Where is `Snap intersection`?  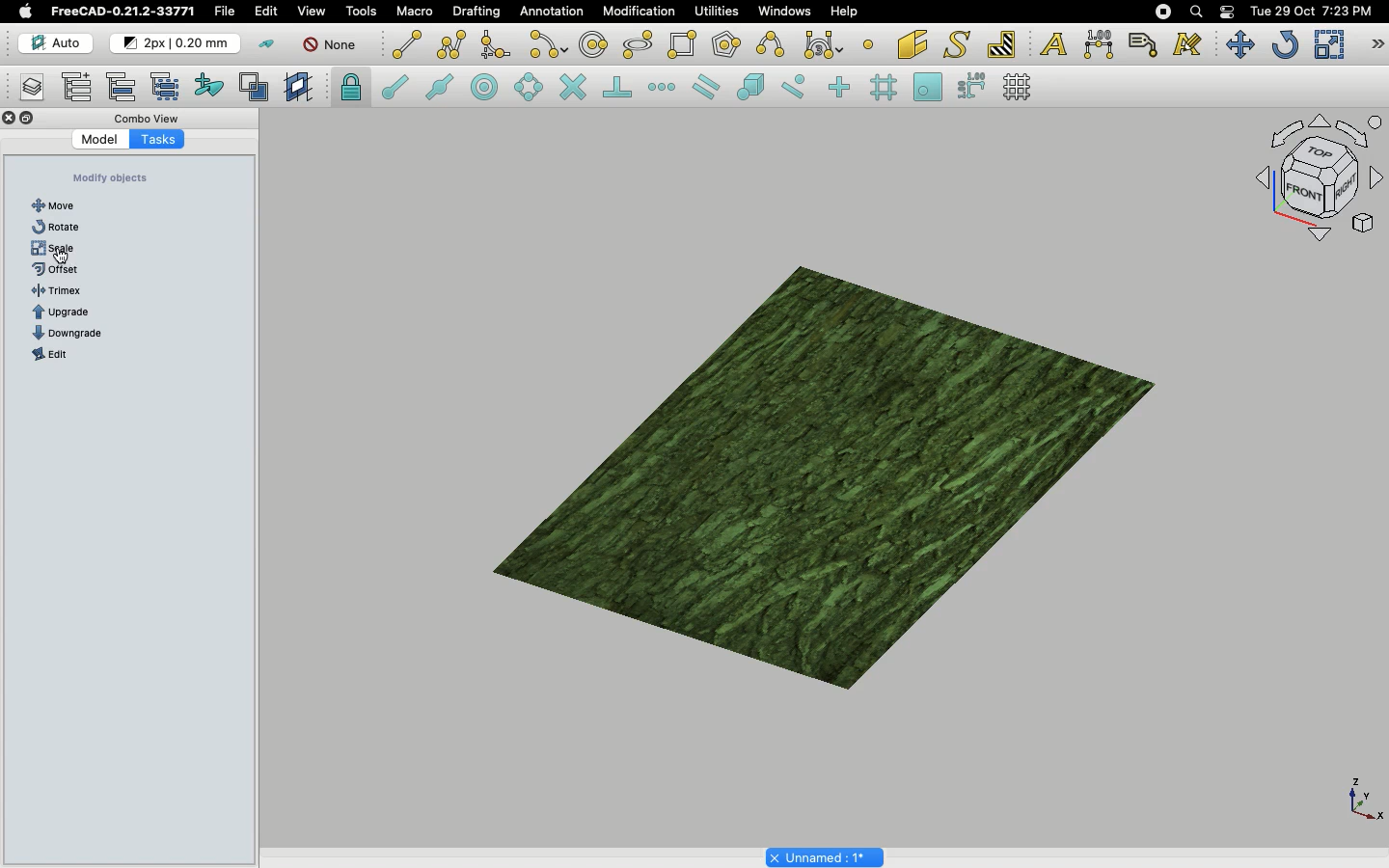
Snap intersection is located at coordinates (572, 85).